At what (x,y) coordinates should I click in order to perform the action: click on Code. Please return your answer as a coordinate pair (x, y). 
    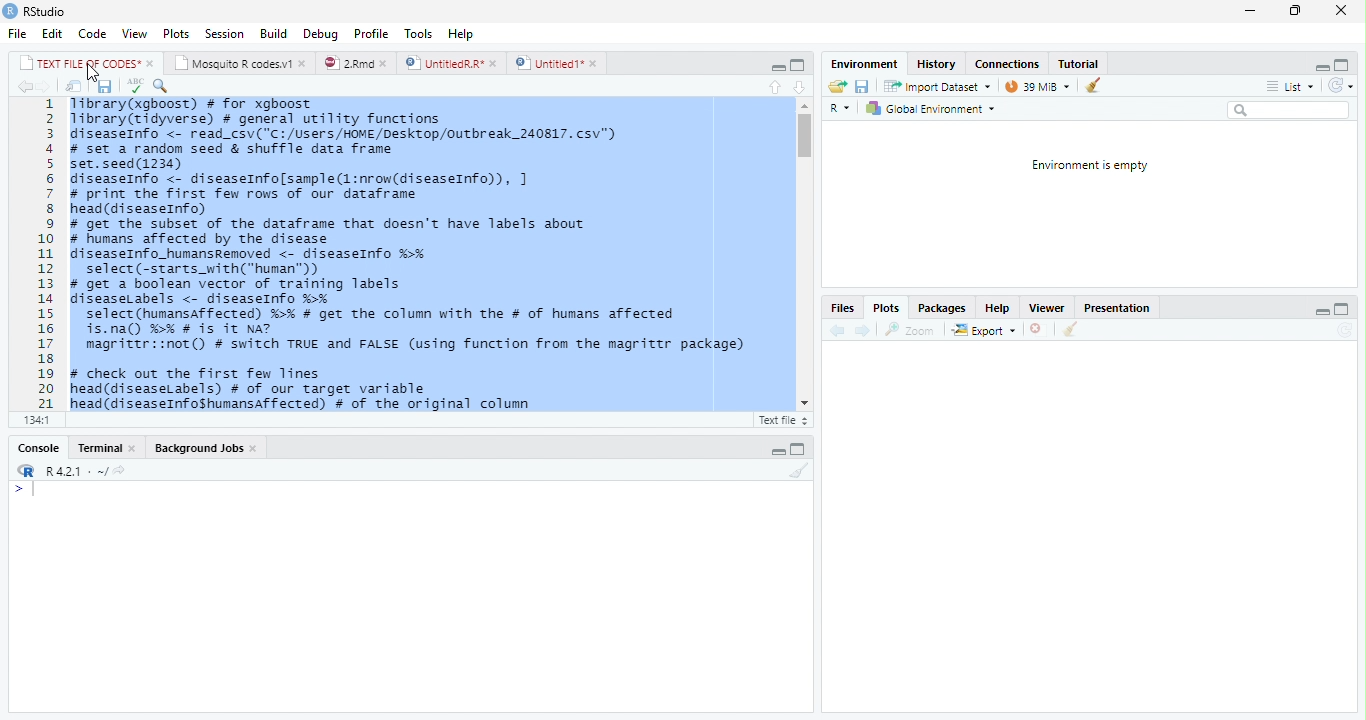
    Looking at the image, I should click on (90, 34).